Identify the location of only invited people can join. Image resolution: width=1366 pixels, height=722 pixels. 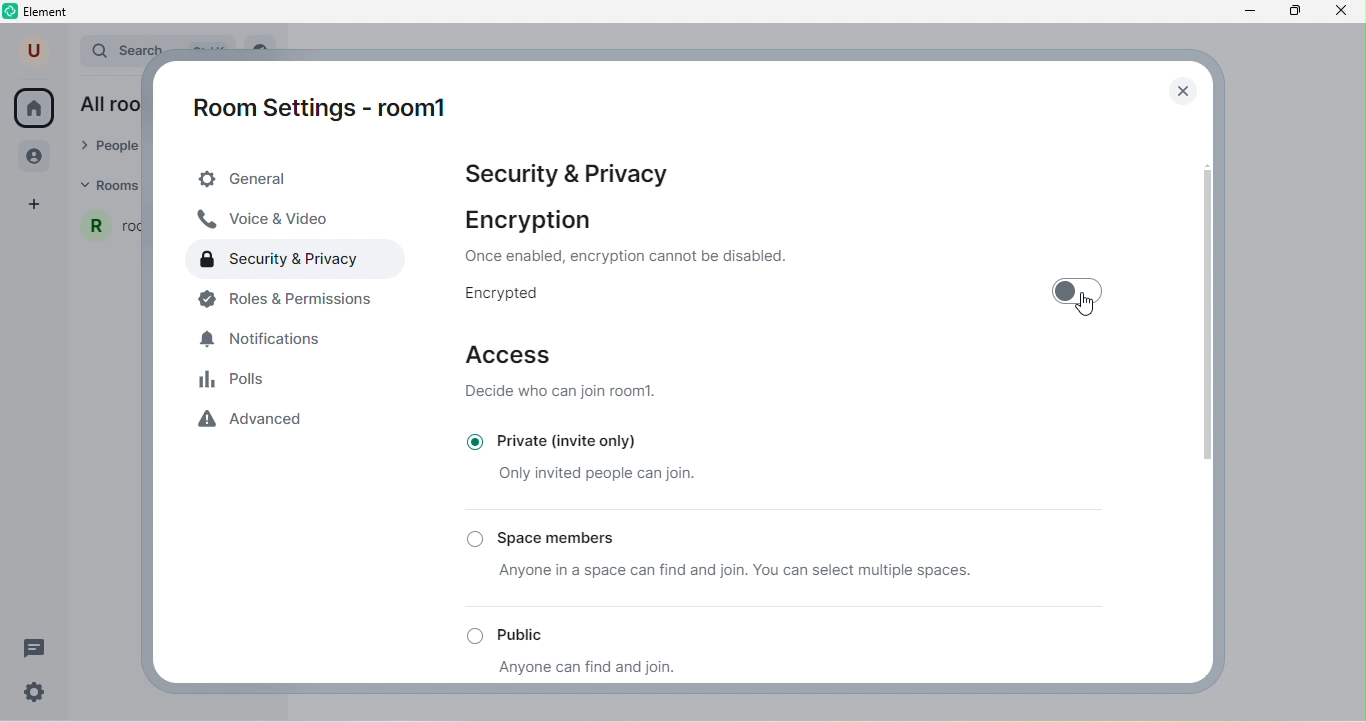
(604, 474).